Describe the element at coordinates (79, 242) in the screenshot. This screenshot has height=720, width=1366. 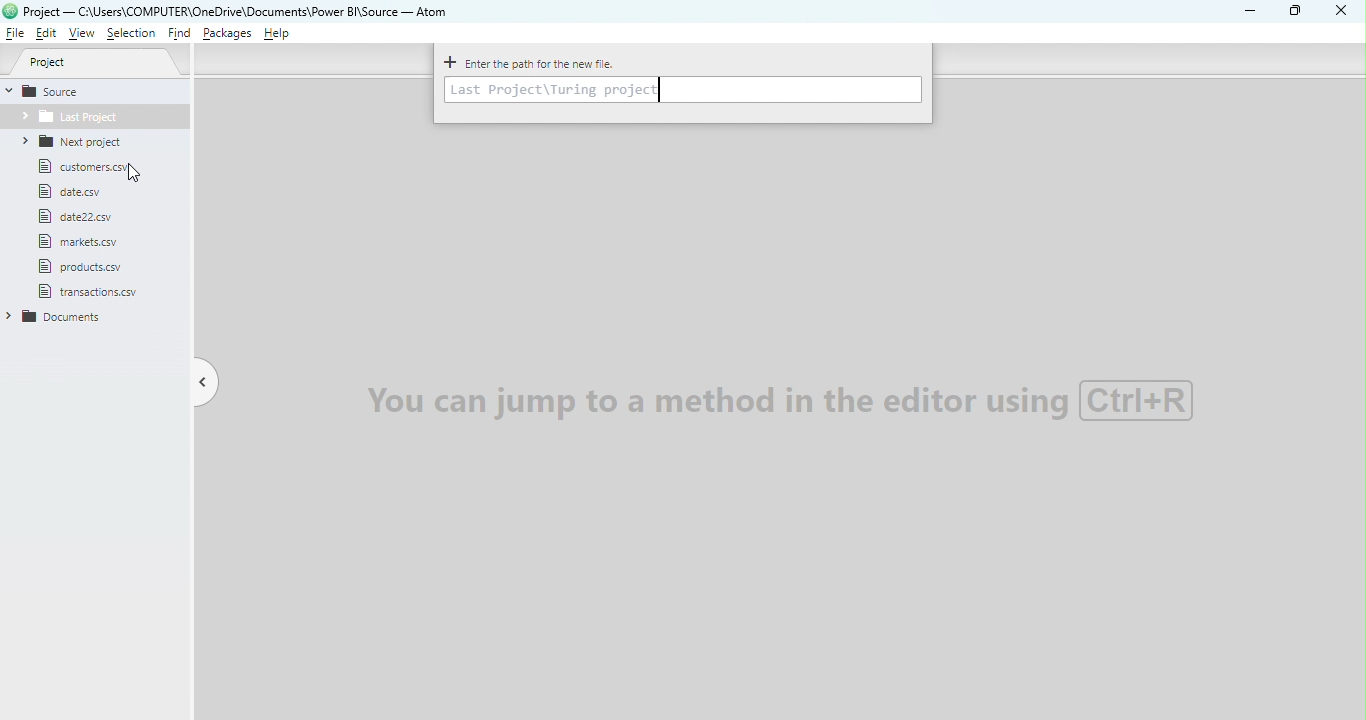
I see `File` at that location.